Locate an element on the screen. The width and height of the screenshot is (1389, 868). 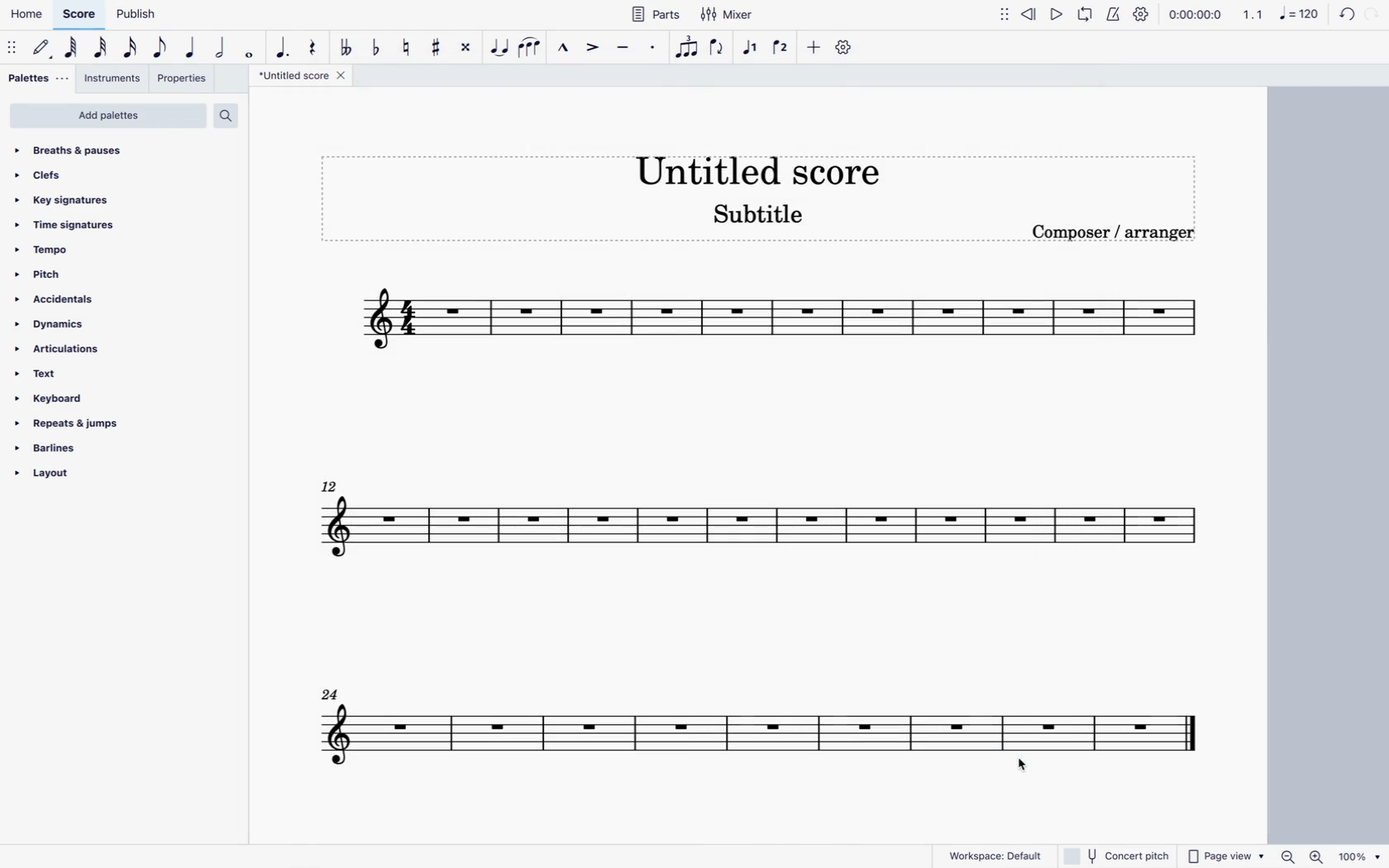
playback loop is located at coordinates (1088, 17).